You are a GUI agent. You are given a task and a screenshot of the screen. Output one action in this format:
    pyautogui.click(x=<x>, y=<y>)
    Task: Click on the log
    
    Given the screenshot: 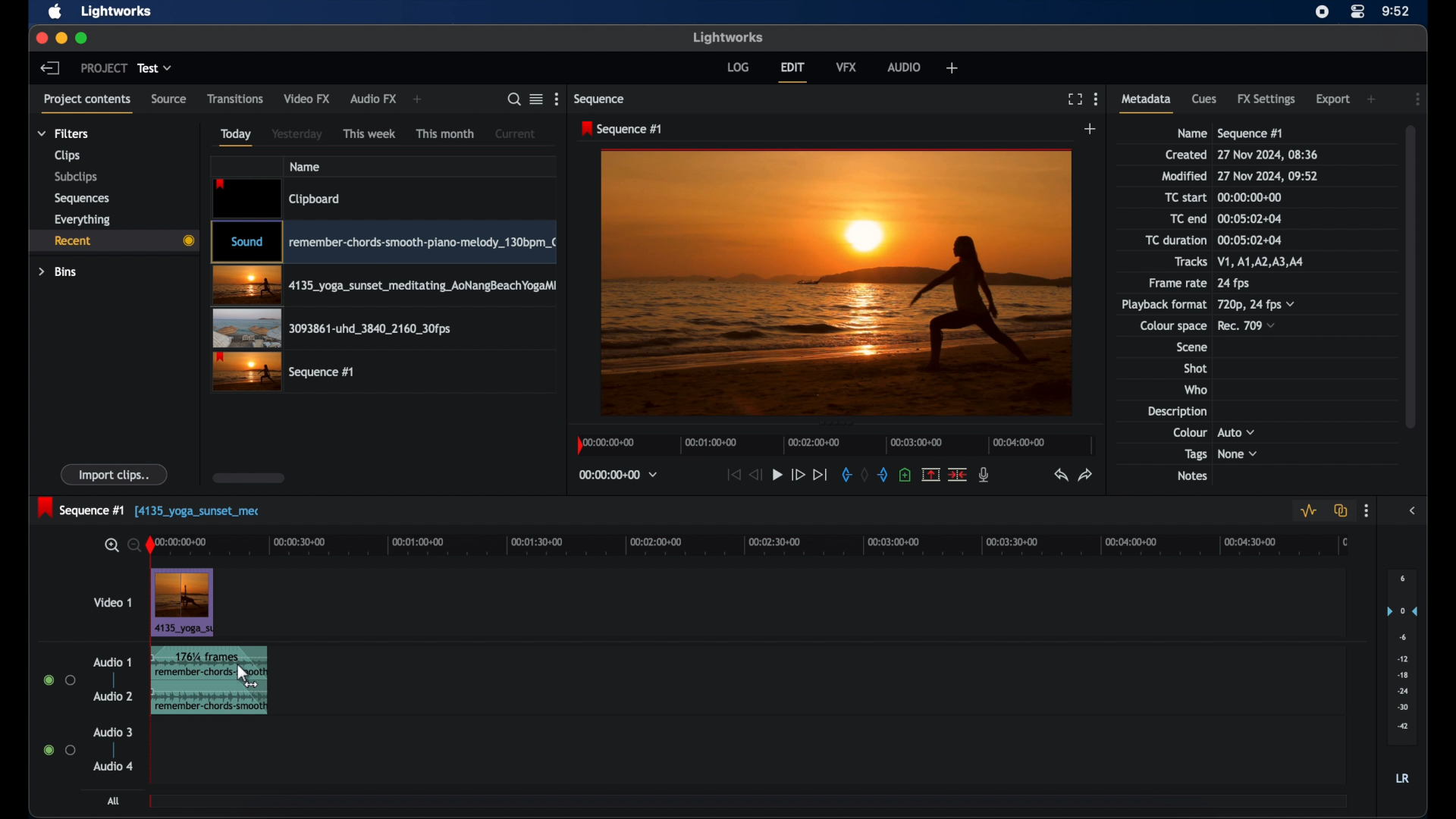 What is the action you would take?
    pyautogui.click(x=738, y=67)
    